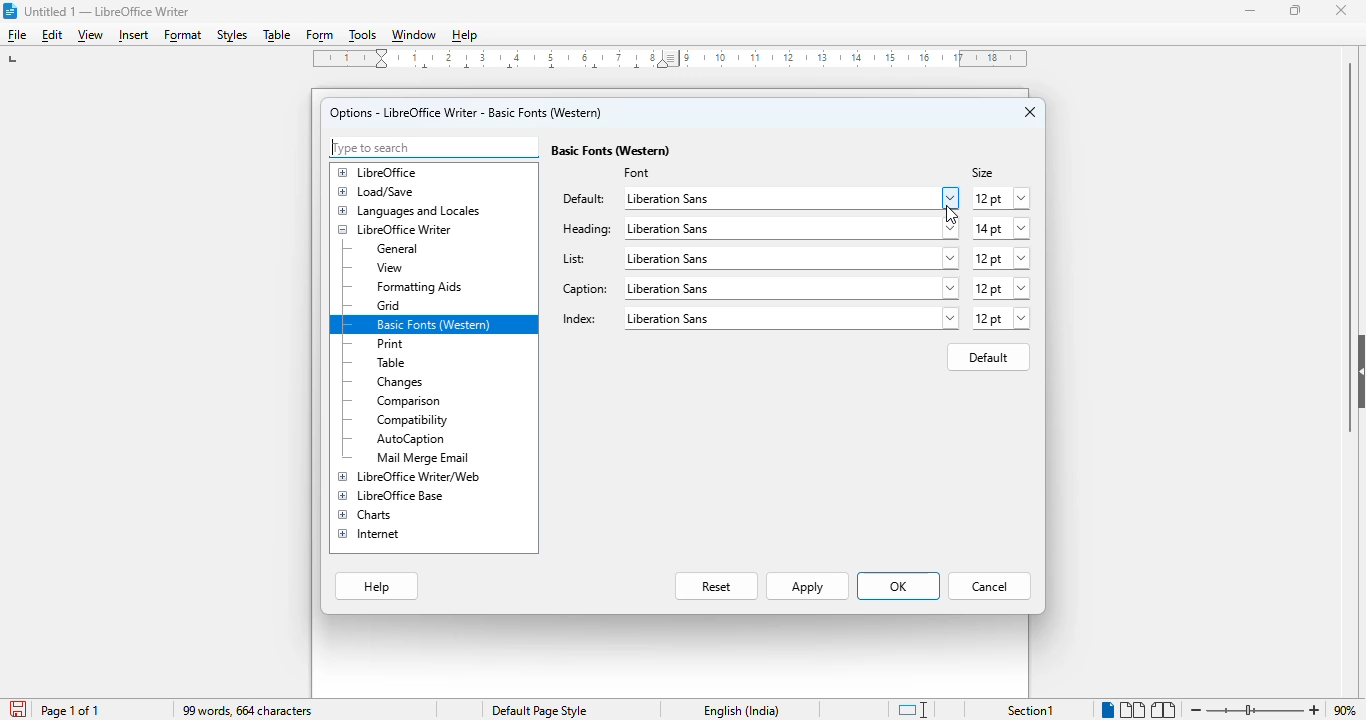 This screenshot has width=1366, height=720. What do you see at coordinates (389, 344) in the screenshot?
I see `print` at bounding box center [389, 344].